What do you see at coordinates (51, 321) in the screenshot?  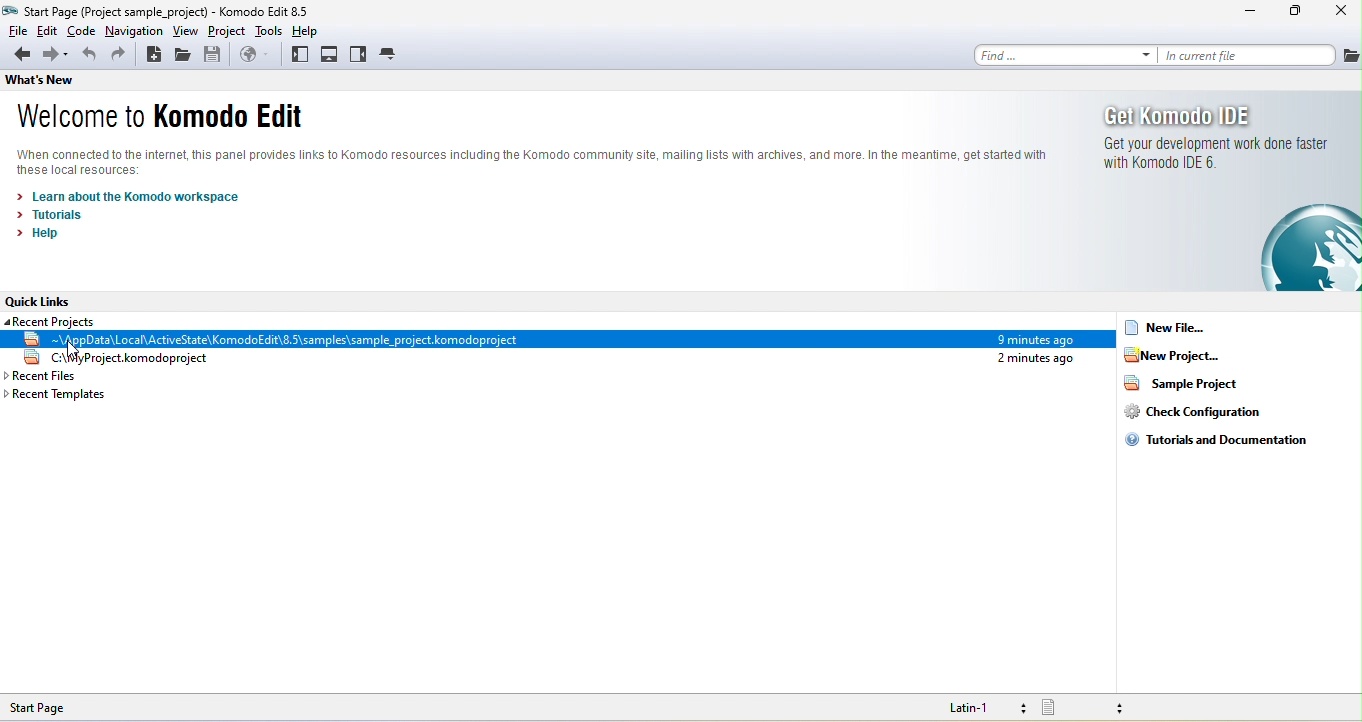 I see `recent projects` at bounding box center [51, 321].